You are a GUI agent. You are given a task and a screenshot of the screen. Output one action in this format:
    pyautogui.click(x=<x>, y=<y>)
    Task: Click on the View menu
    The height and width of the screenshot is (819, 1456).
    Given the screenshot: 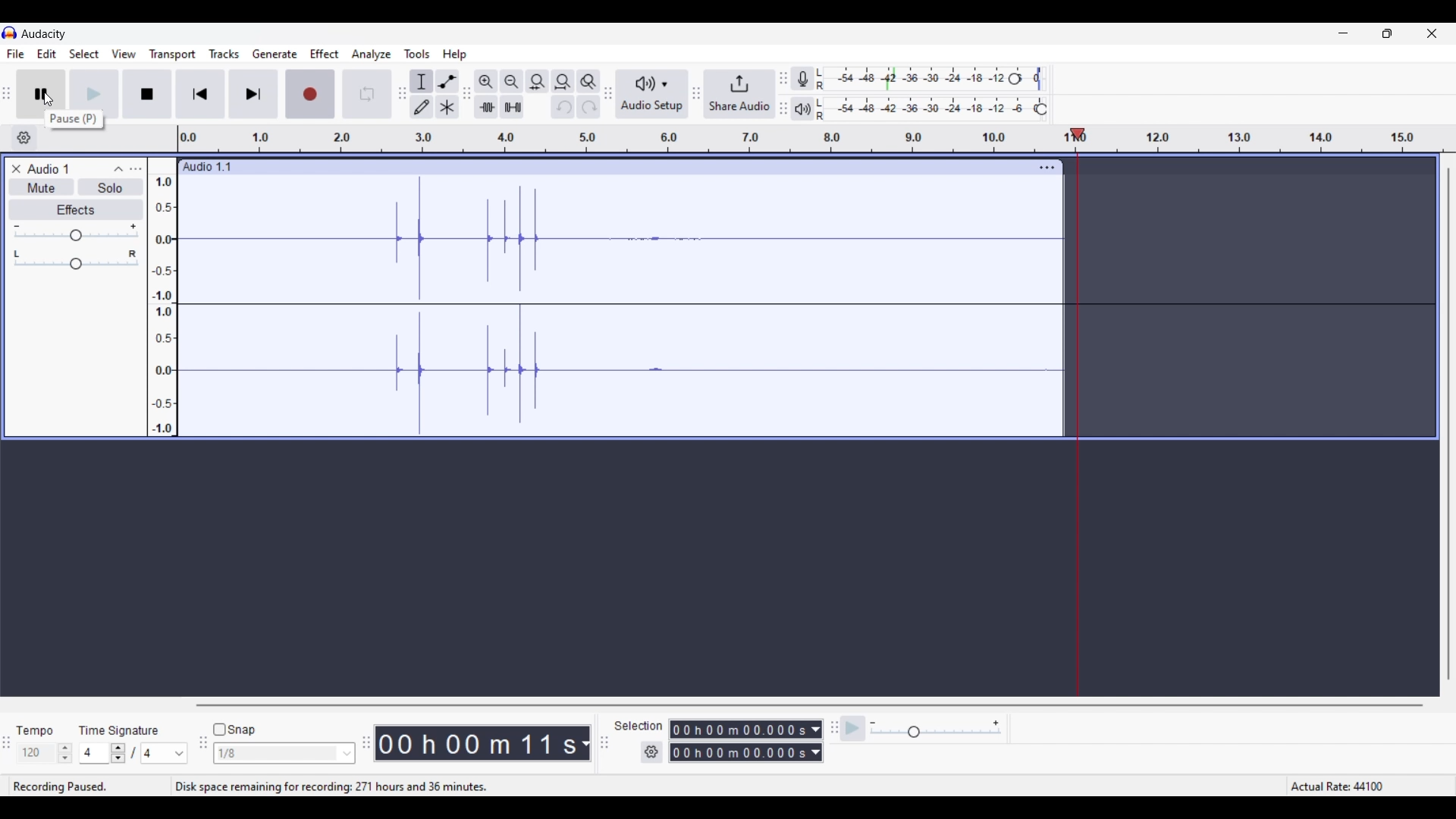 What is the action you would take?
    pyautogui.click(x=124, y=54)
    